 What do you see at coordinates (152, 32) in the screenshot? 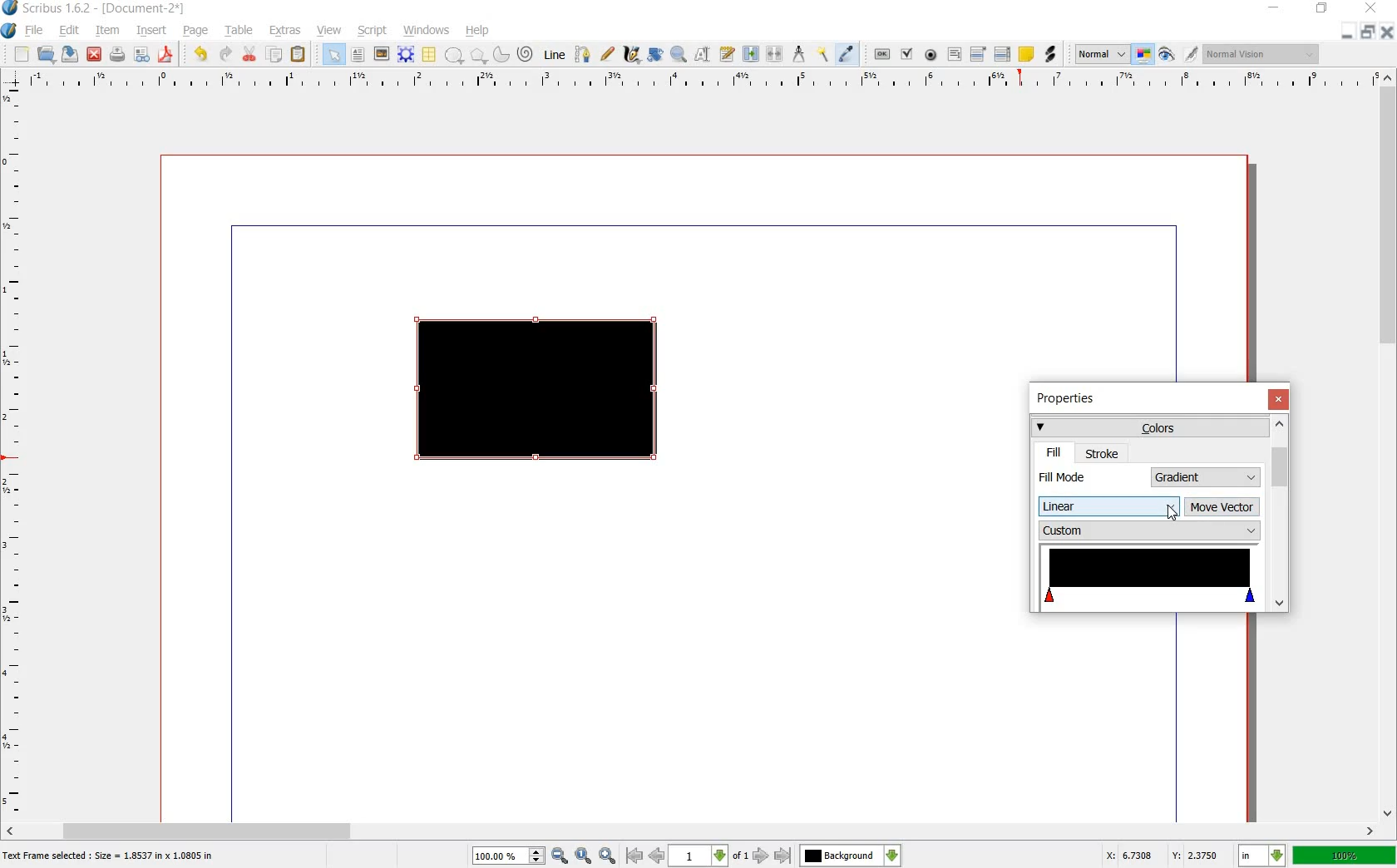
I see `insert` at bounding box center [152, 32].